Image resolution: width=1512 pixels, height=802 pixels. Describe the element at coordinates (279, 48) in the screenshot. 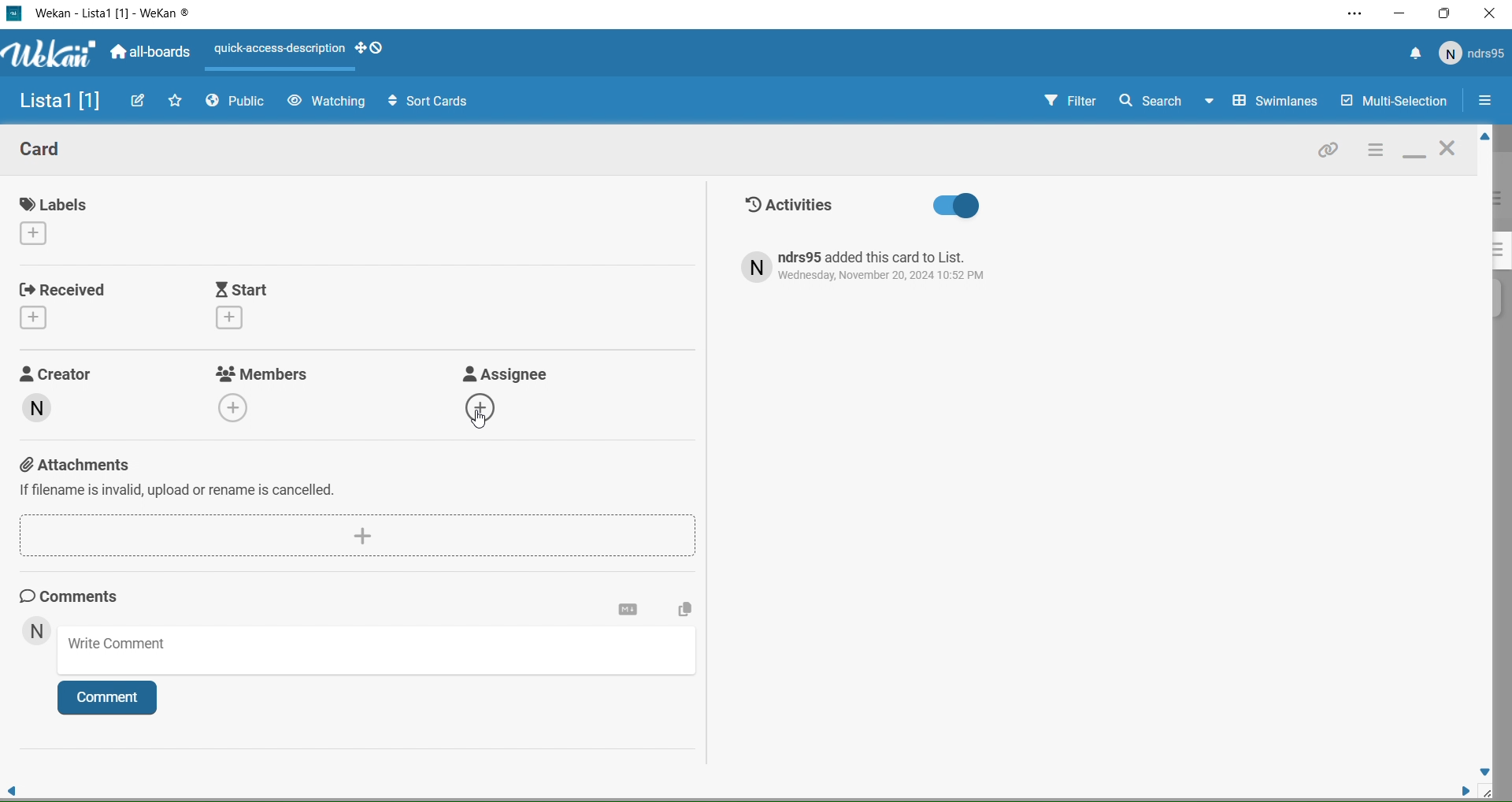

I see `Layout Actions` at that location.